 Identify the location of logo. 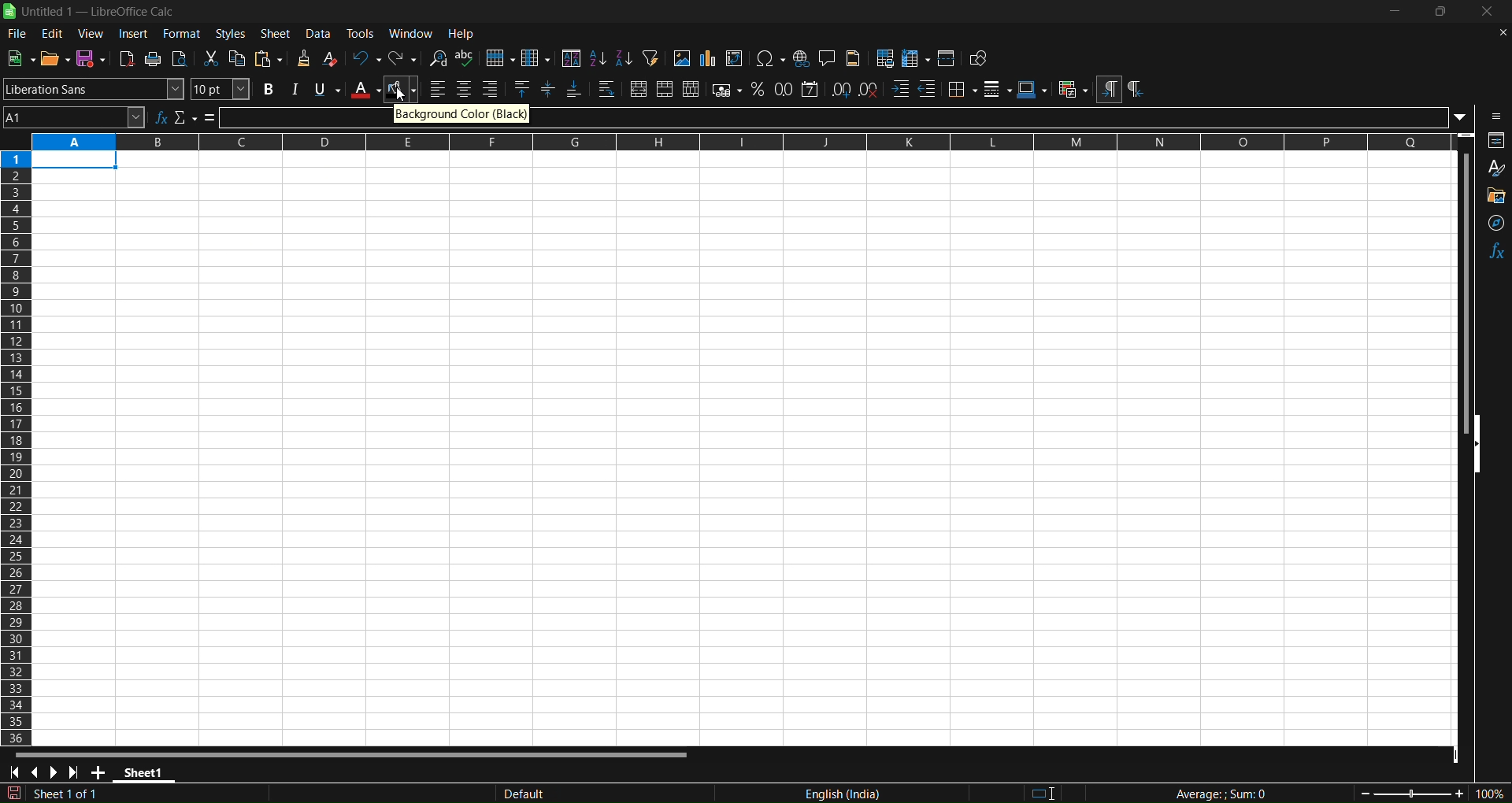
(9, 11).